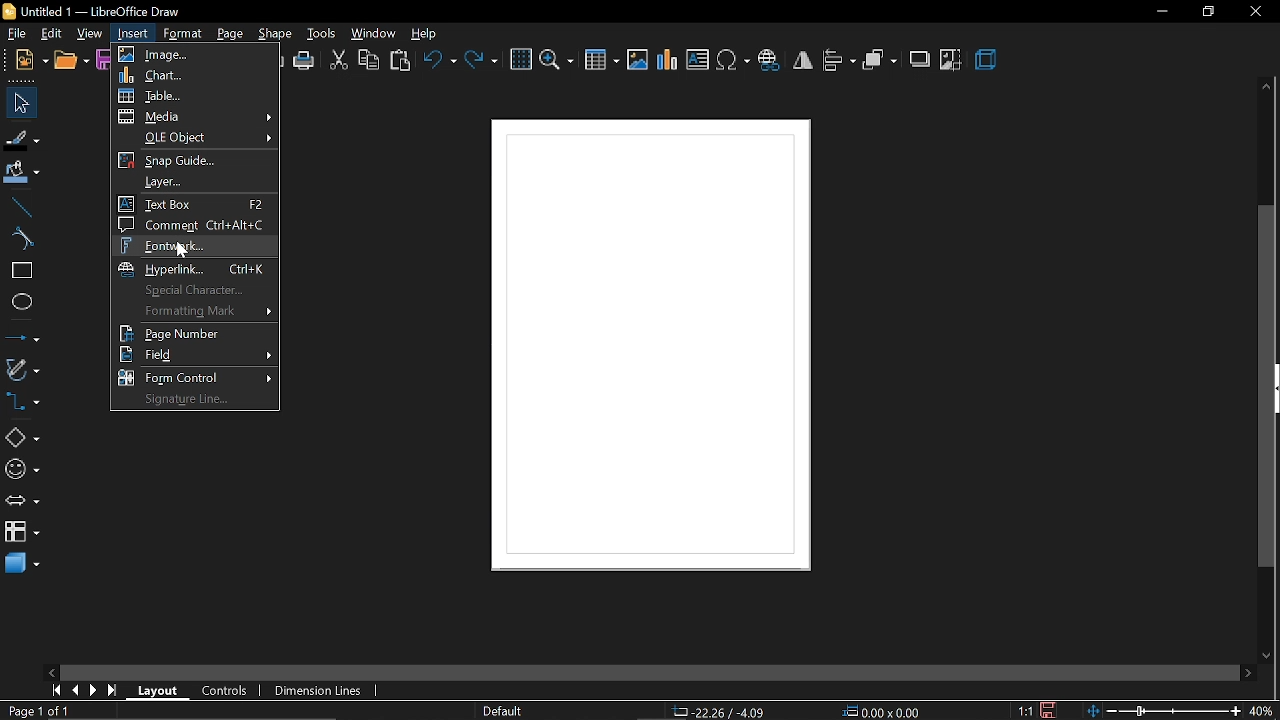 The image size is (1280, 720). What do you see at coordinates (23, 402) in the screenshot?
I see `connector` at bounding box center [23, 402].